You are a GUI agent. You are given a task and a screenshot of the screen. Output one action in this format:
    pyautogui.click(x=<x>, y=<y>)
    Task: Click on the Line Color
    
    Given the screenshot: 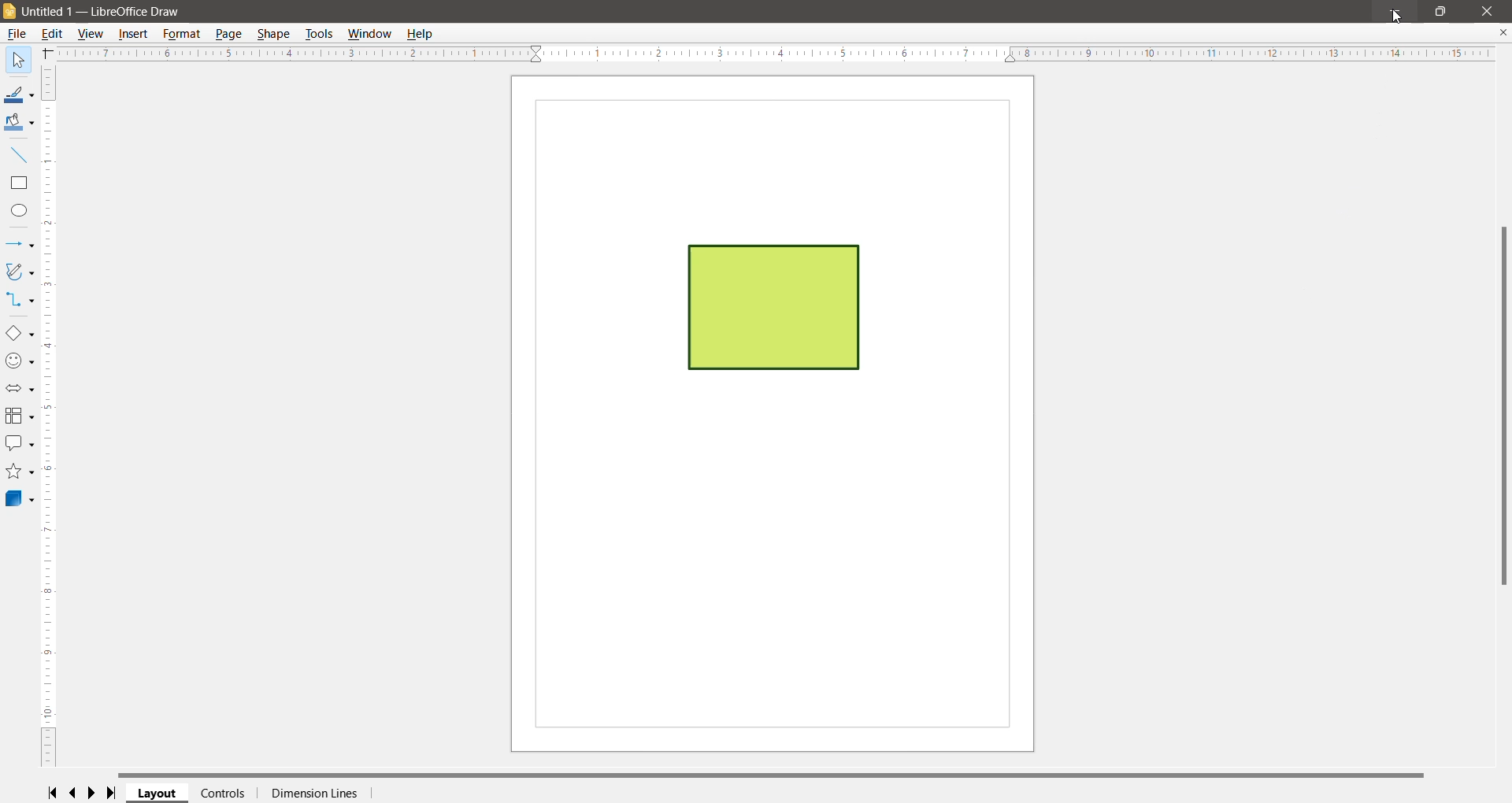 What is the action you would take?
    pyautogui.click(x=18, y=96)
    